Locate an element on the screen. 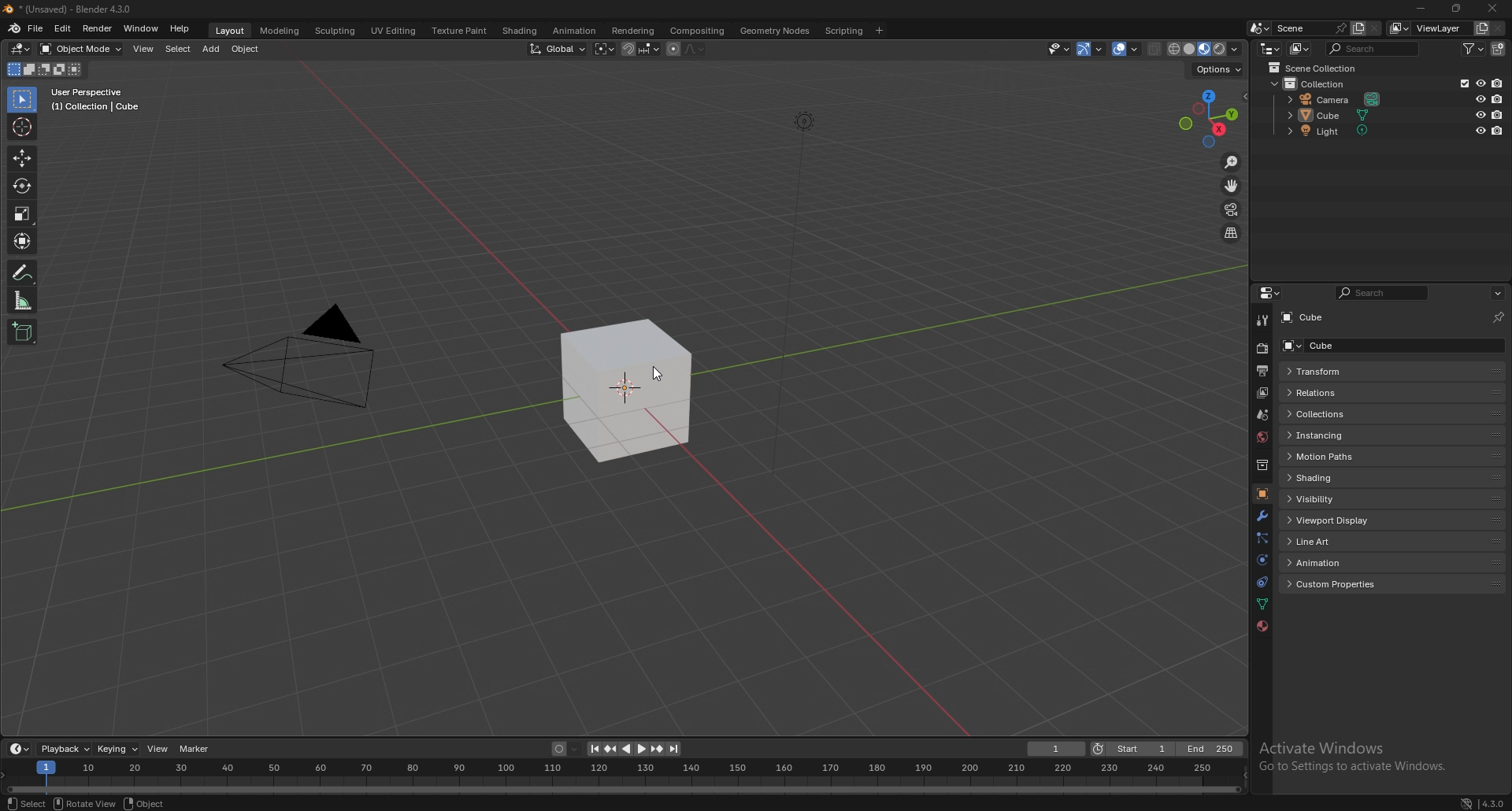 The width and height of the screenshot is (1512, 811). cube is located at coordinates (1325, 317).